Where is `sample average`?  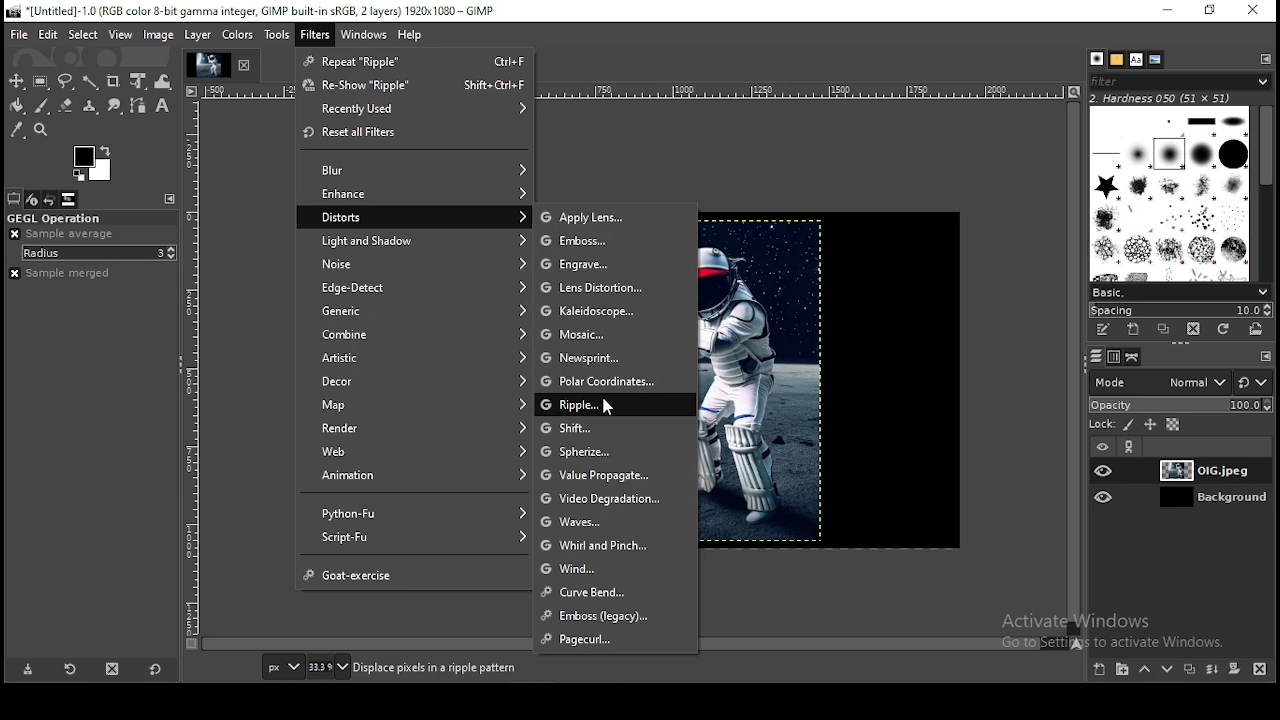 sample average is located at coordinates (64, 234).